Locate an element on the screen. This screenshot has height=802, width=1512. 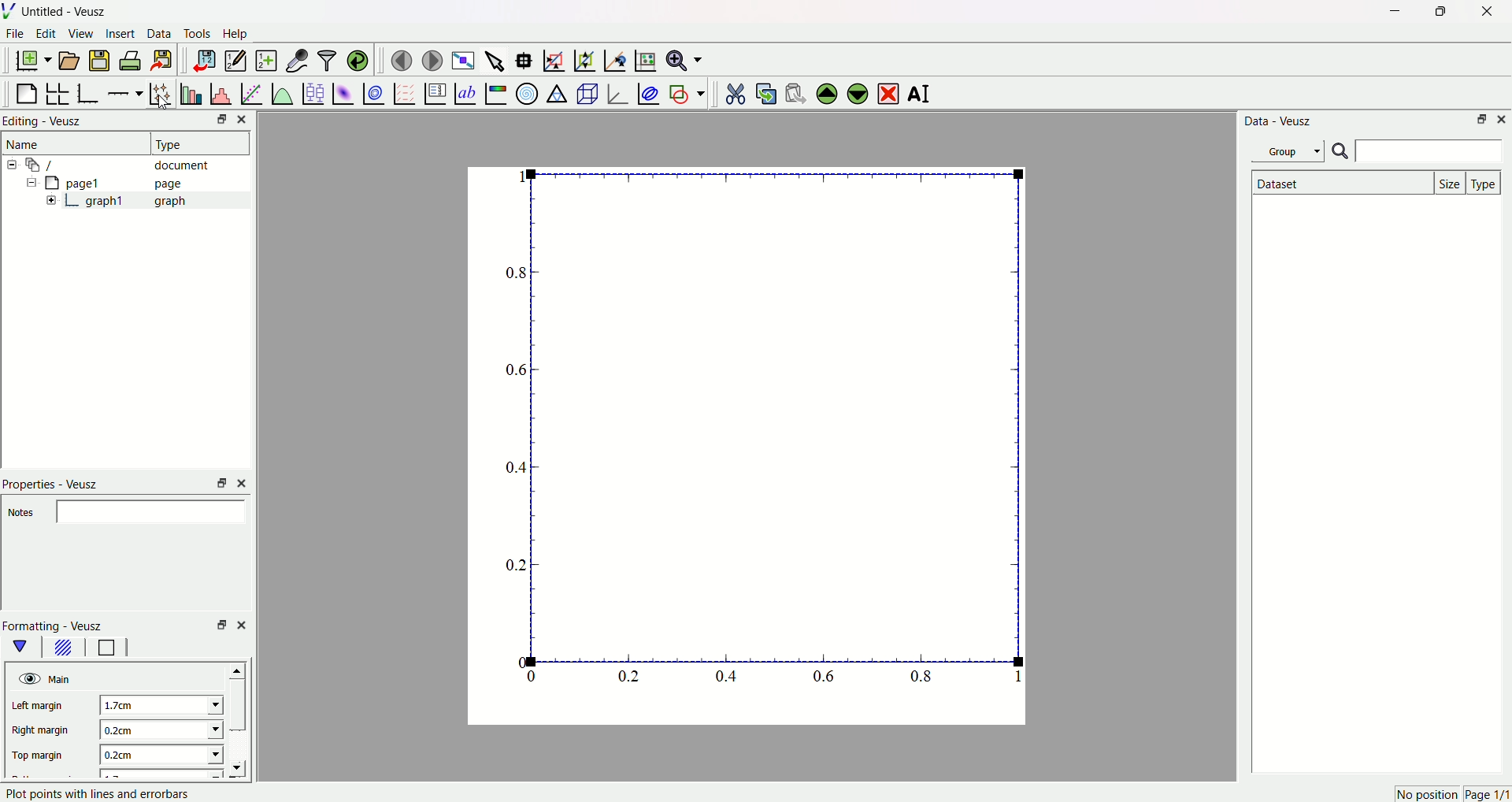
recenter the graph axes is located at coordinates (612, 57).